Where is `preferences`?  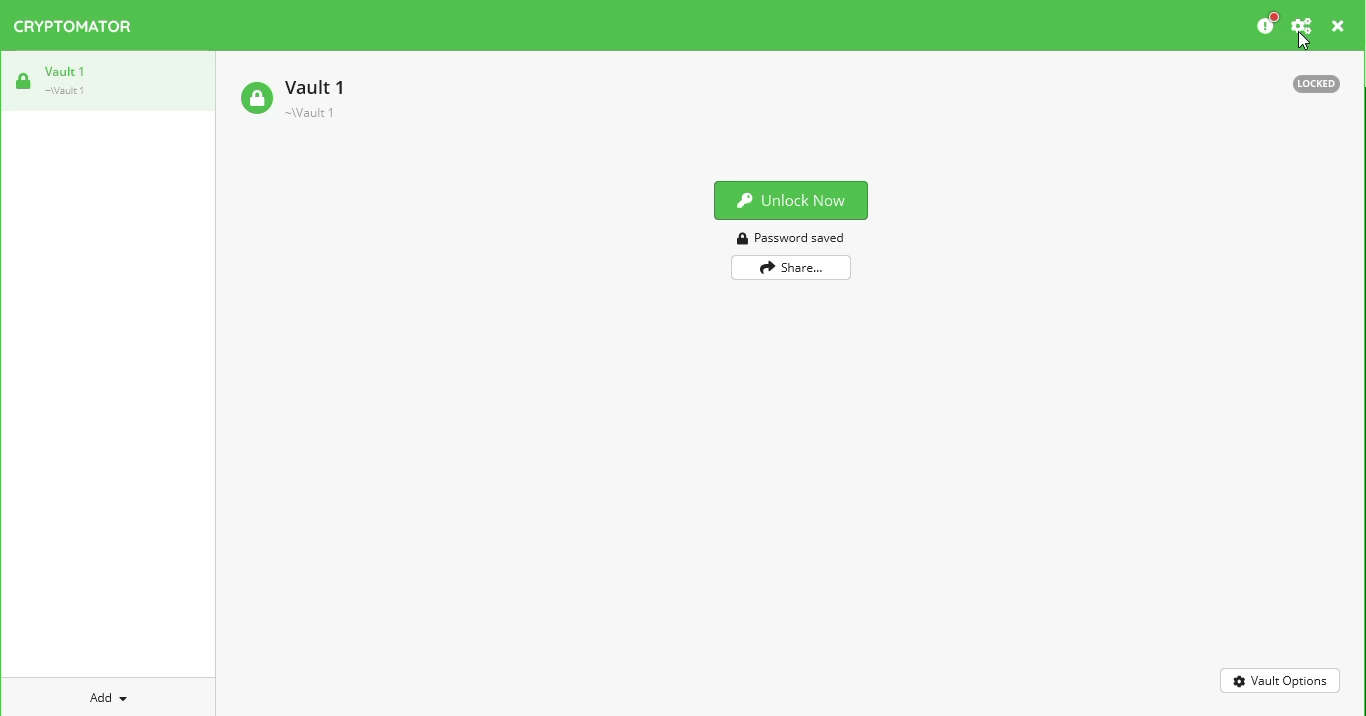
preferences is located at coordinates (1303, 25).